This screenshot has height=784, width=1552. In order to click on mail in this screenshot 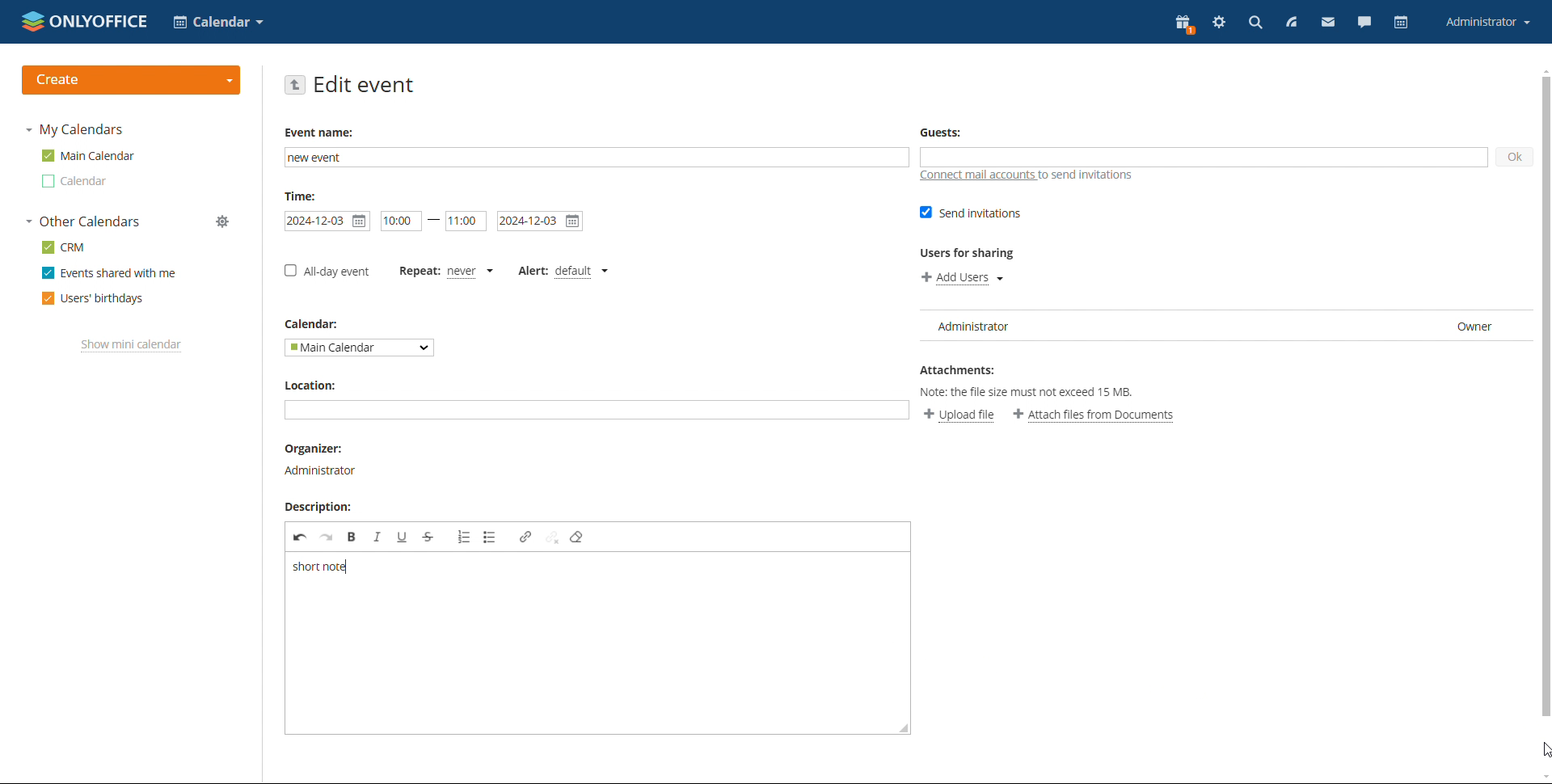, I will do `click(1329, 22)`.